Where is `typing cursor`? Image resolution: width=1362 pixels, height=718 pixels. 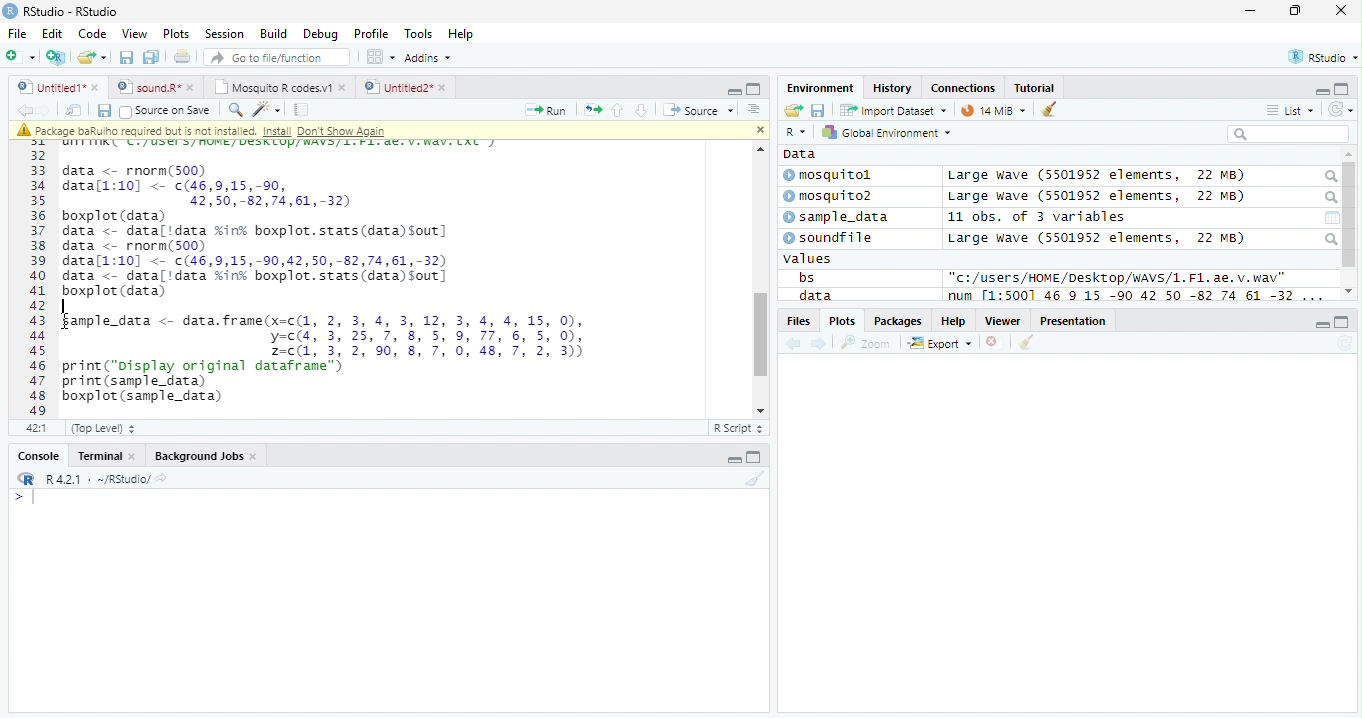
typing cursor is located at coordinates (24, 498).